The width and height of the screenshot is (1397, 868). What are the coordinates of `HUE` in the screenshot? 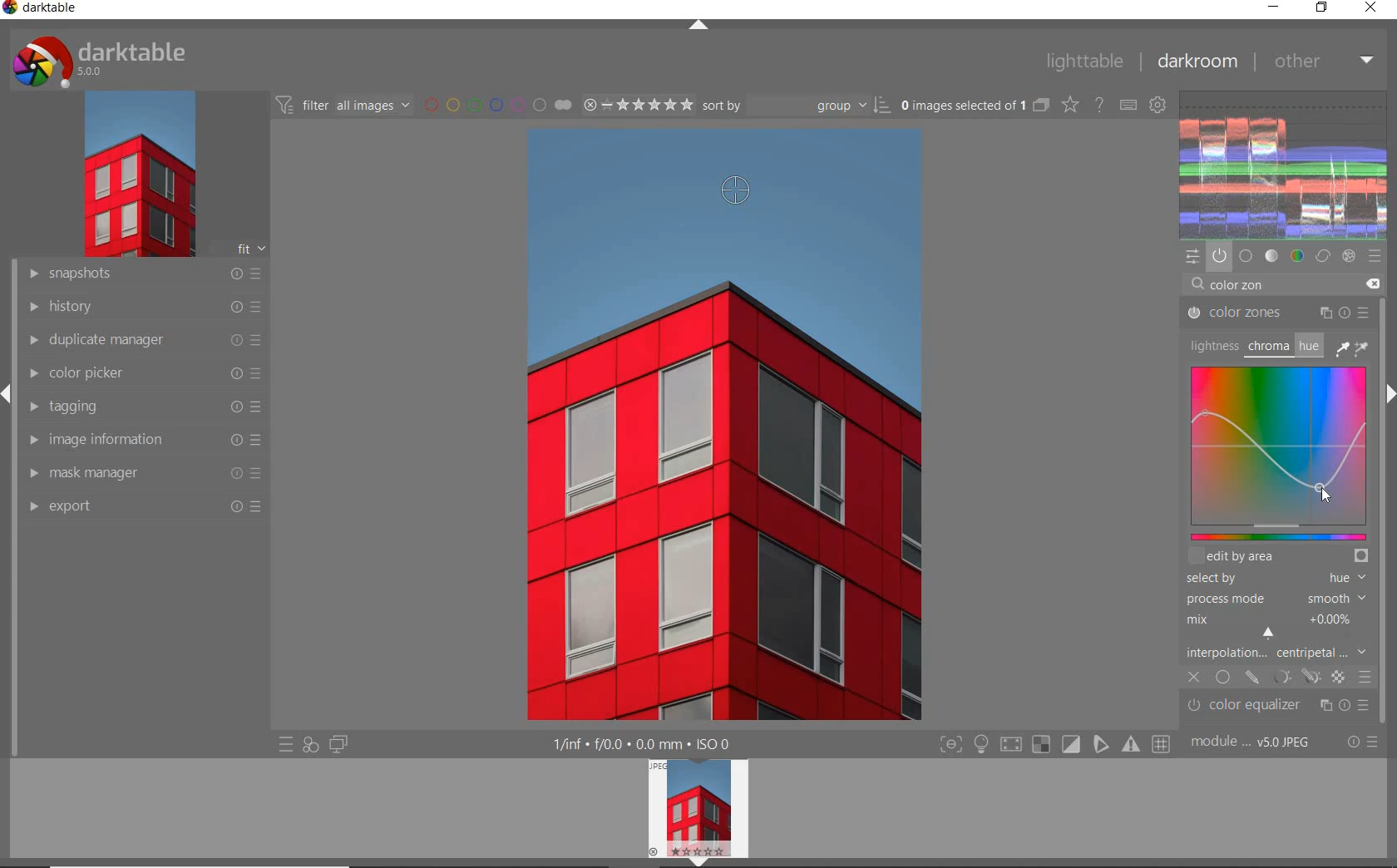 It's located at (1307, 345).